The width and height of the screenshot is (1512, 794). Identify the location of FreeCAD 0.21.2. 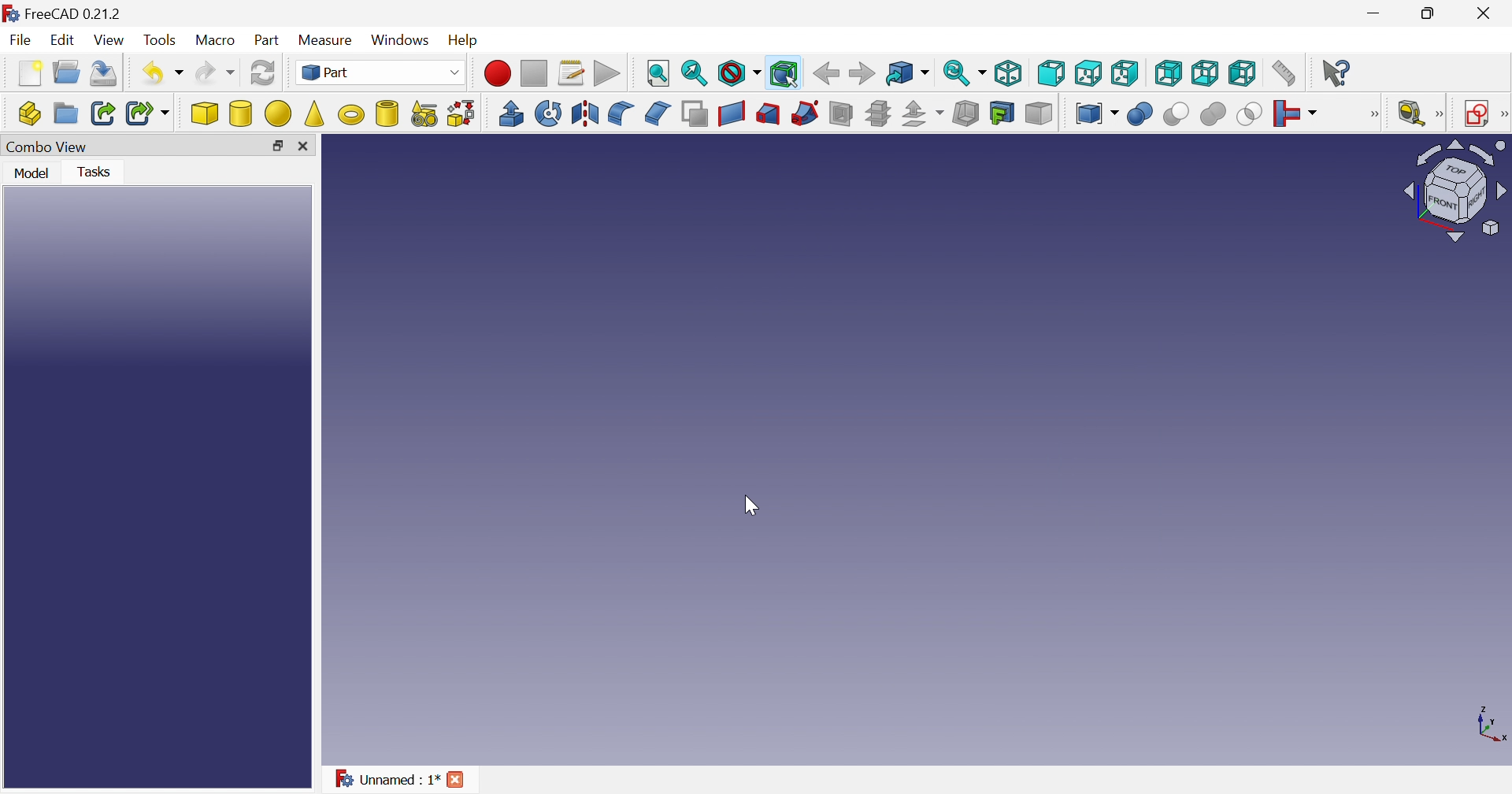
(76, 13).